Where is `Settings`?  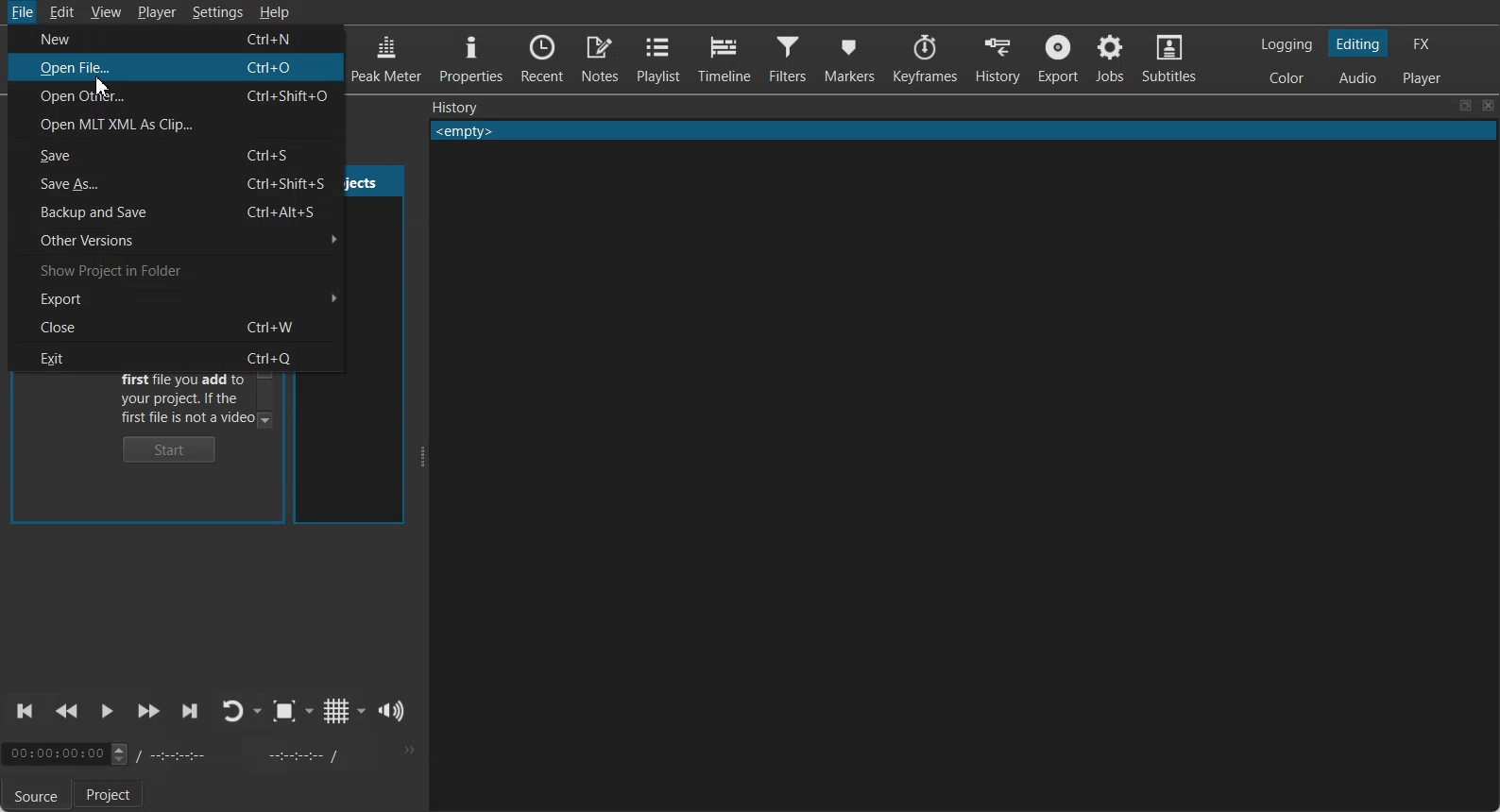 Settings is located at coordinates (218, 12).